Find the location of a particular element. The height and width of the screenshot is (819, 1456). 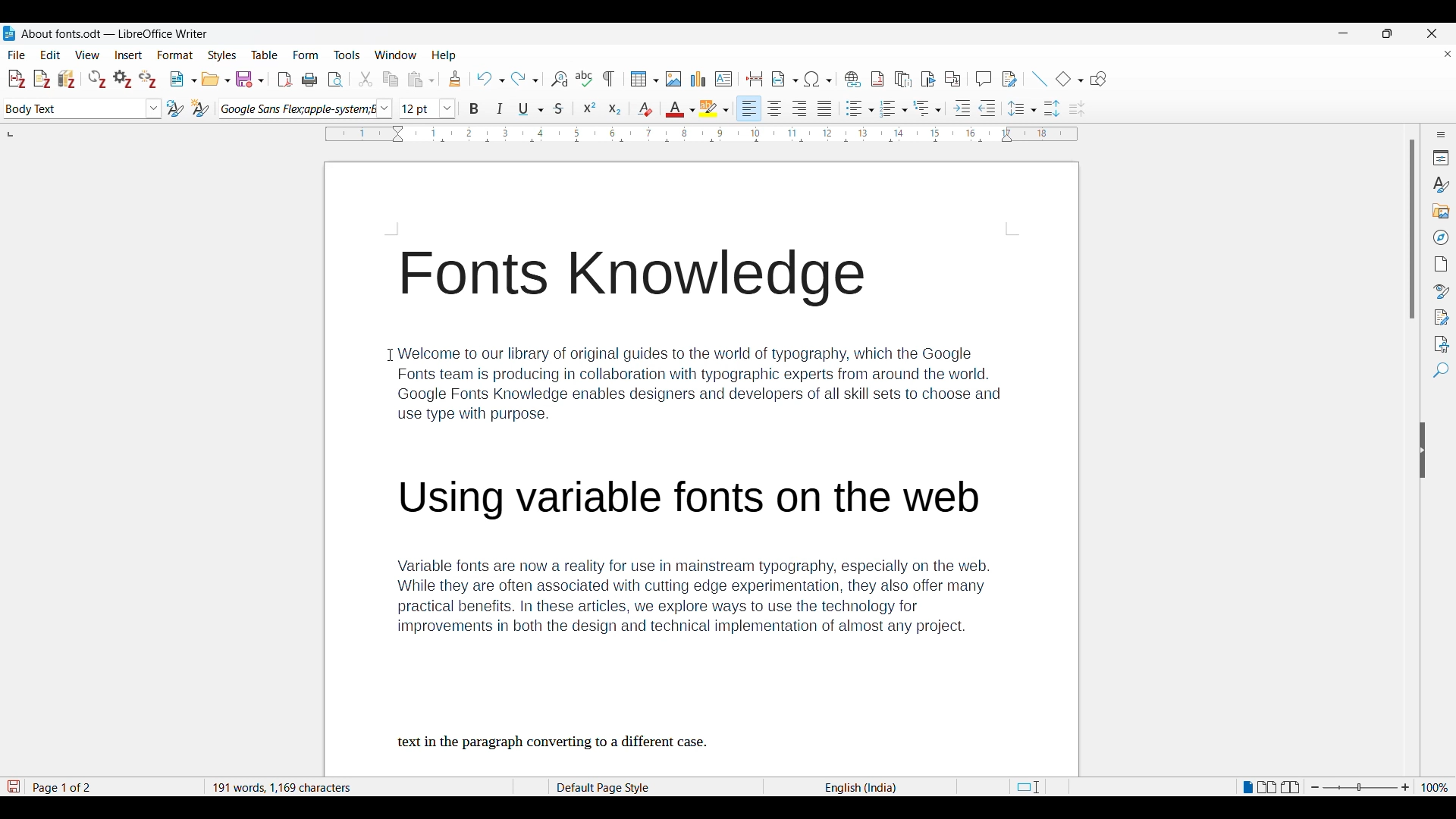

Decrease indent is located at coordinates (987, 108).